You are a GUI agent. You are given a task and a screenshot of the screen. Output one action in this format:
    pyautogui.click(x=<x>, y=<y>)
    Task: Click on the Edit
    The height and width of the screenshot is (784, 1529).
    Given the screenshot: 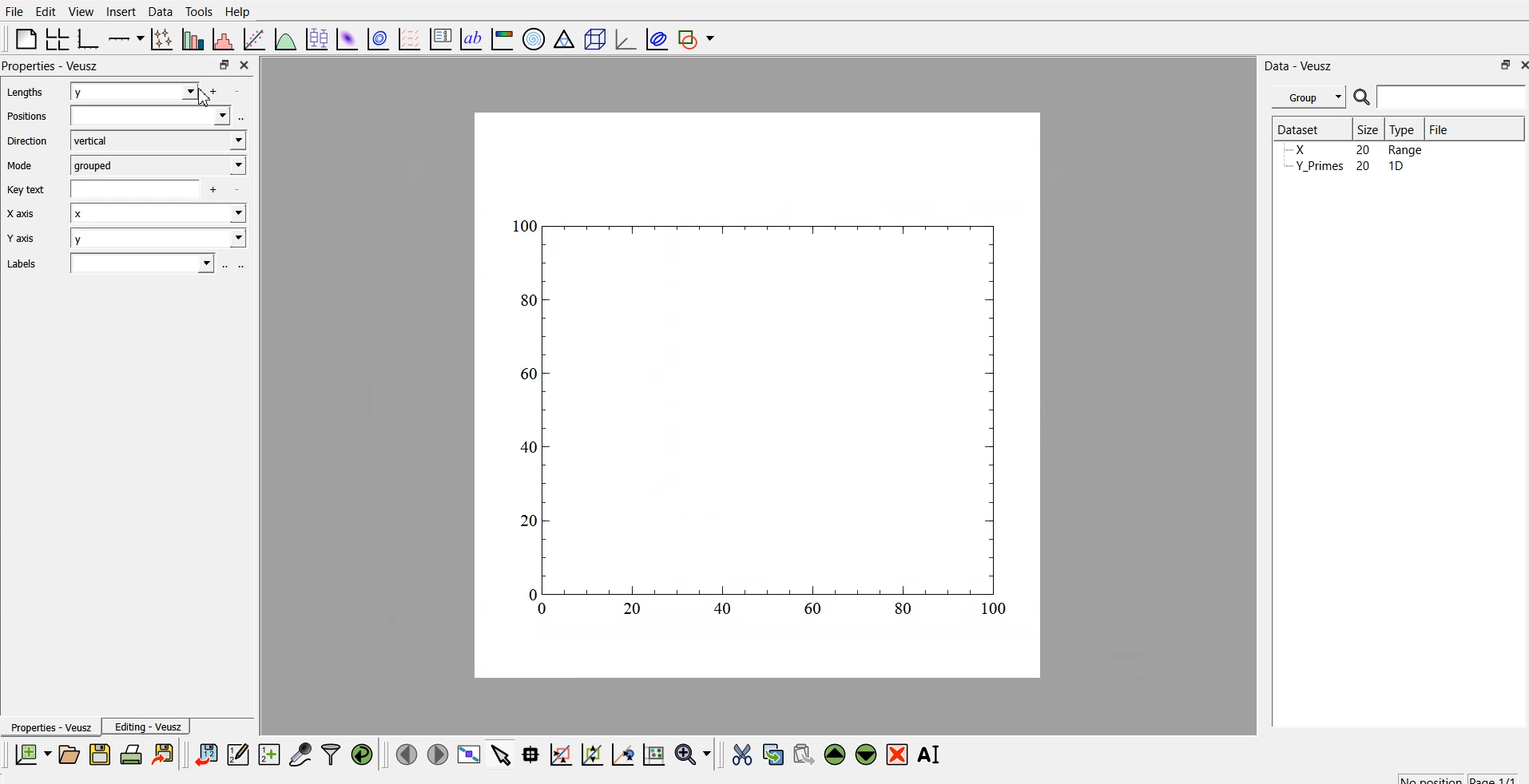 What is the action you would take?
    pyautogui.click(x=43, y=10)
    